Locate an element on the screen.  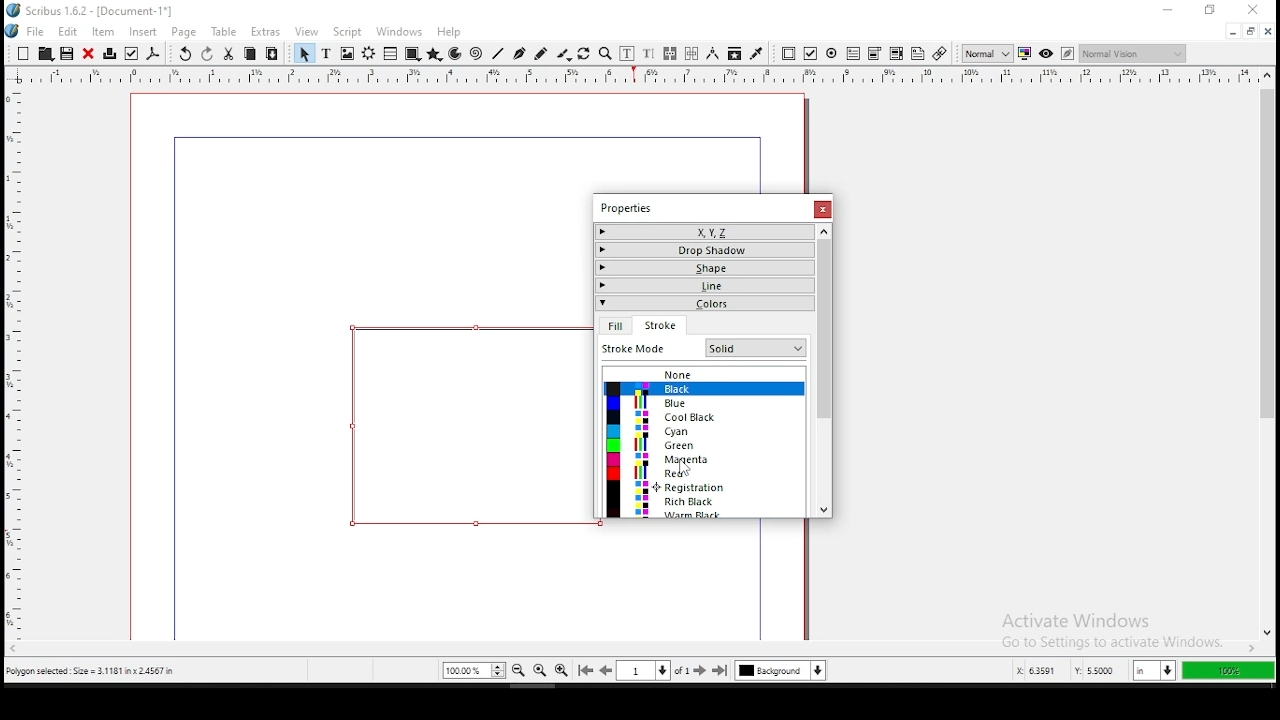
pdf push button is located at coordinates (789, 55).